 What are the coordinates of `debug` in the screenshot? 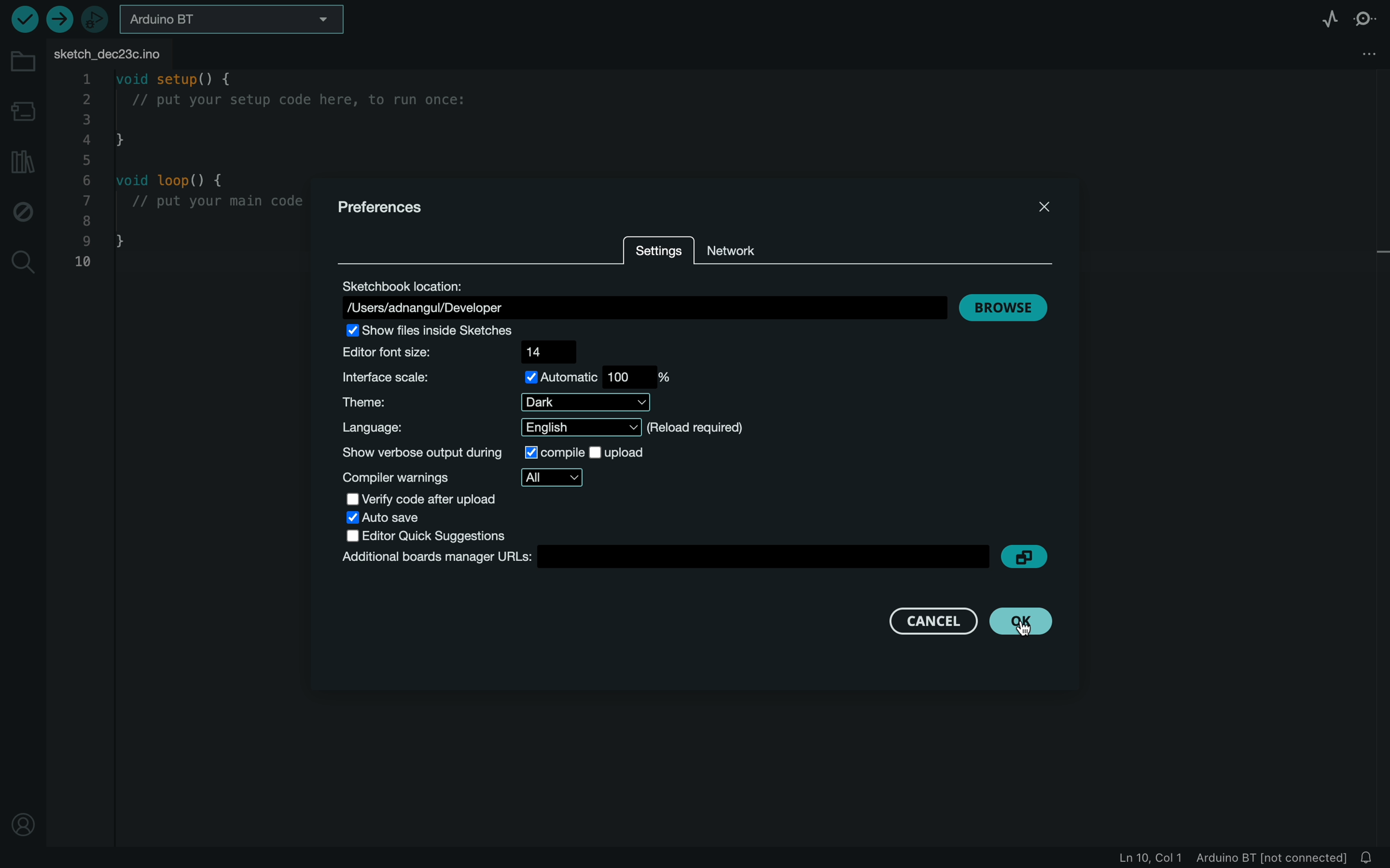 It's located at (24, 214).